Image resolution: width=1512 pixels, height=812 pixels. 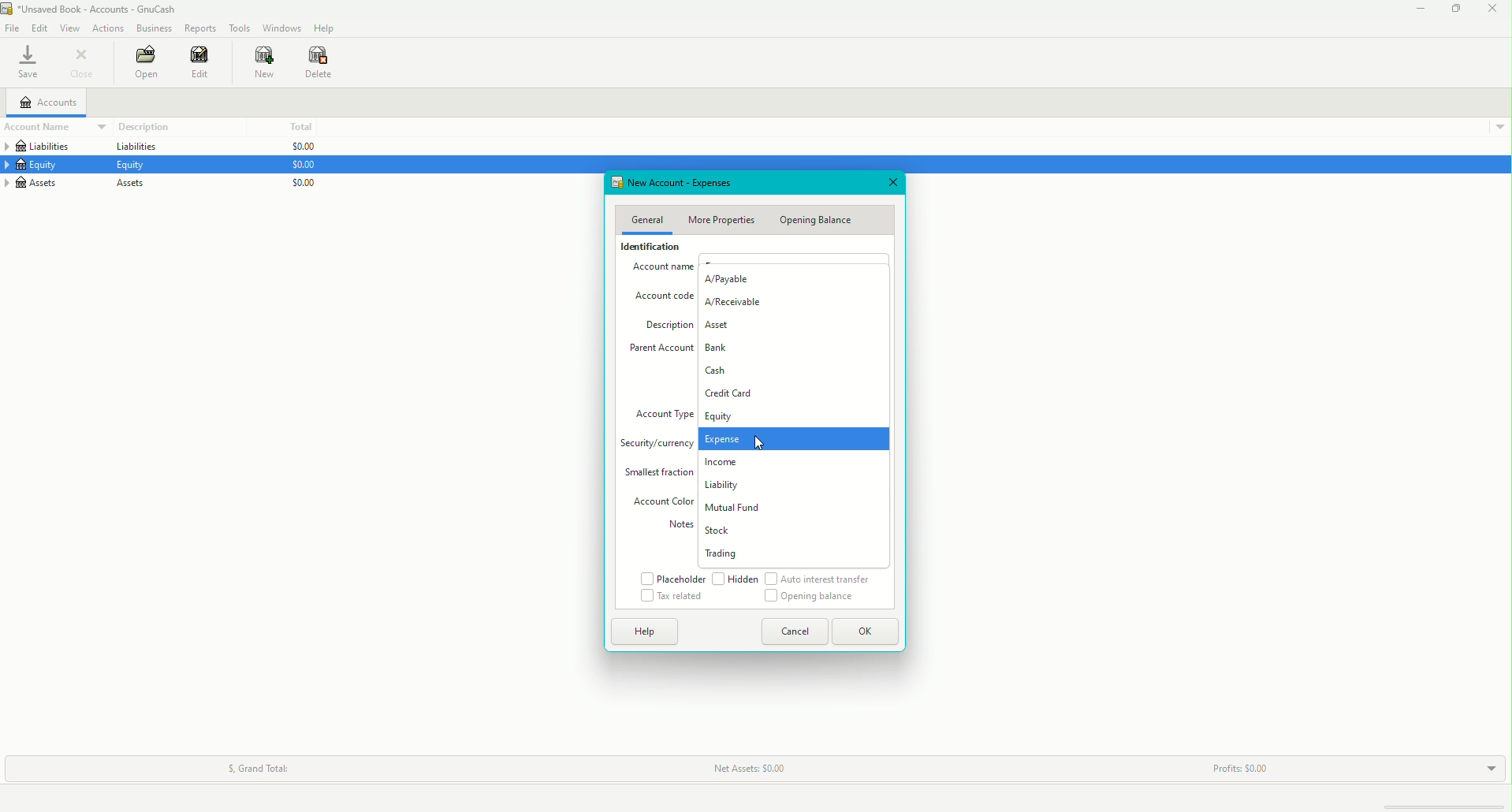 What do you see at coordinates (199, 28) in the screenshot?
I see `Reports` at bounding box center [199, 28].